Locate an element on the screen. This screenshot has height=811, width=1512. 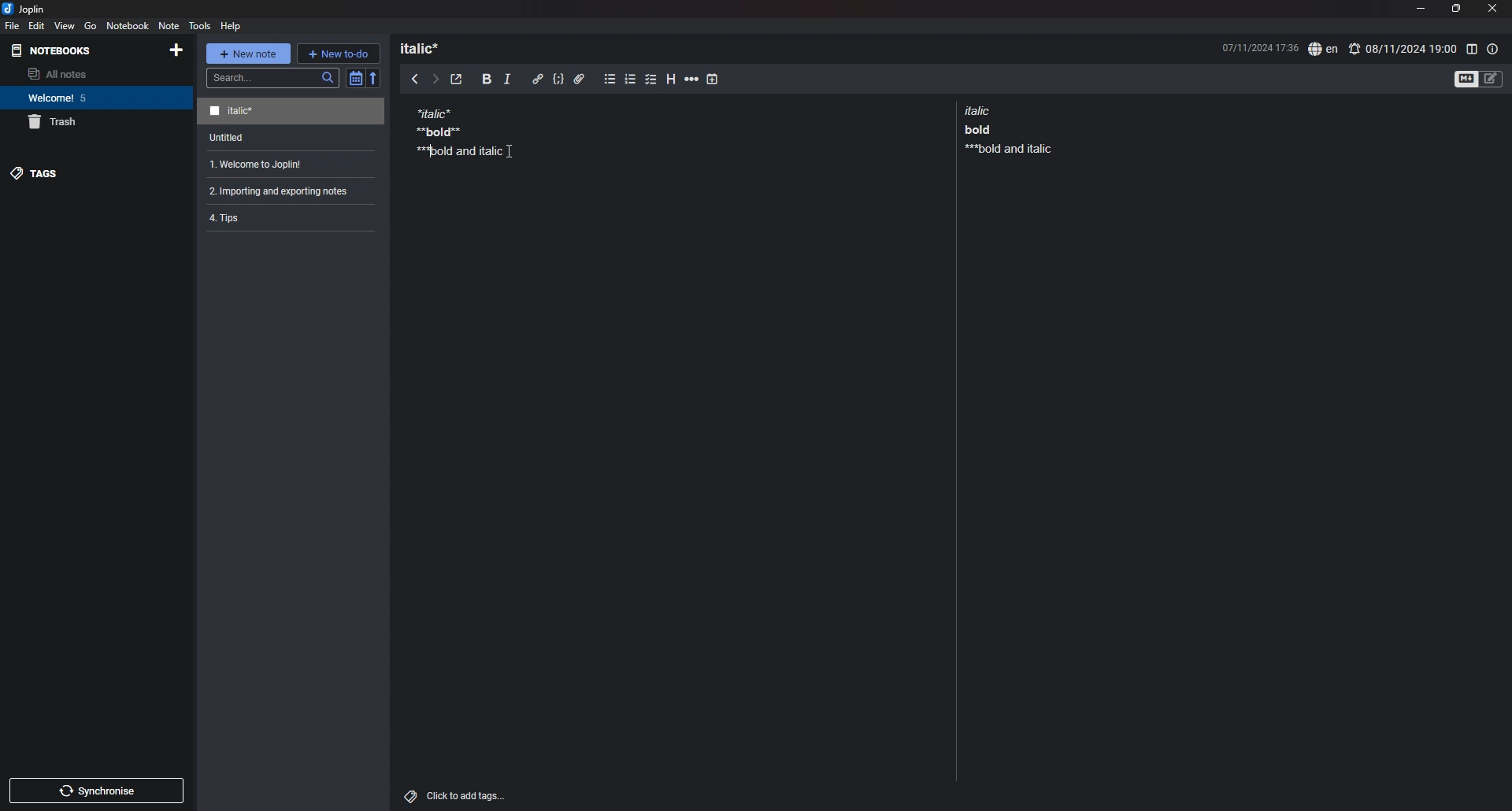
edit is located at coordinates (37, 25).